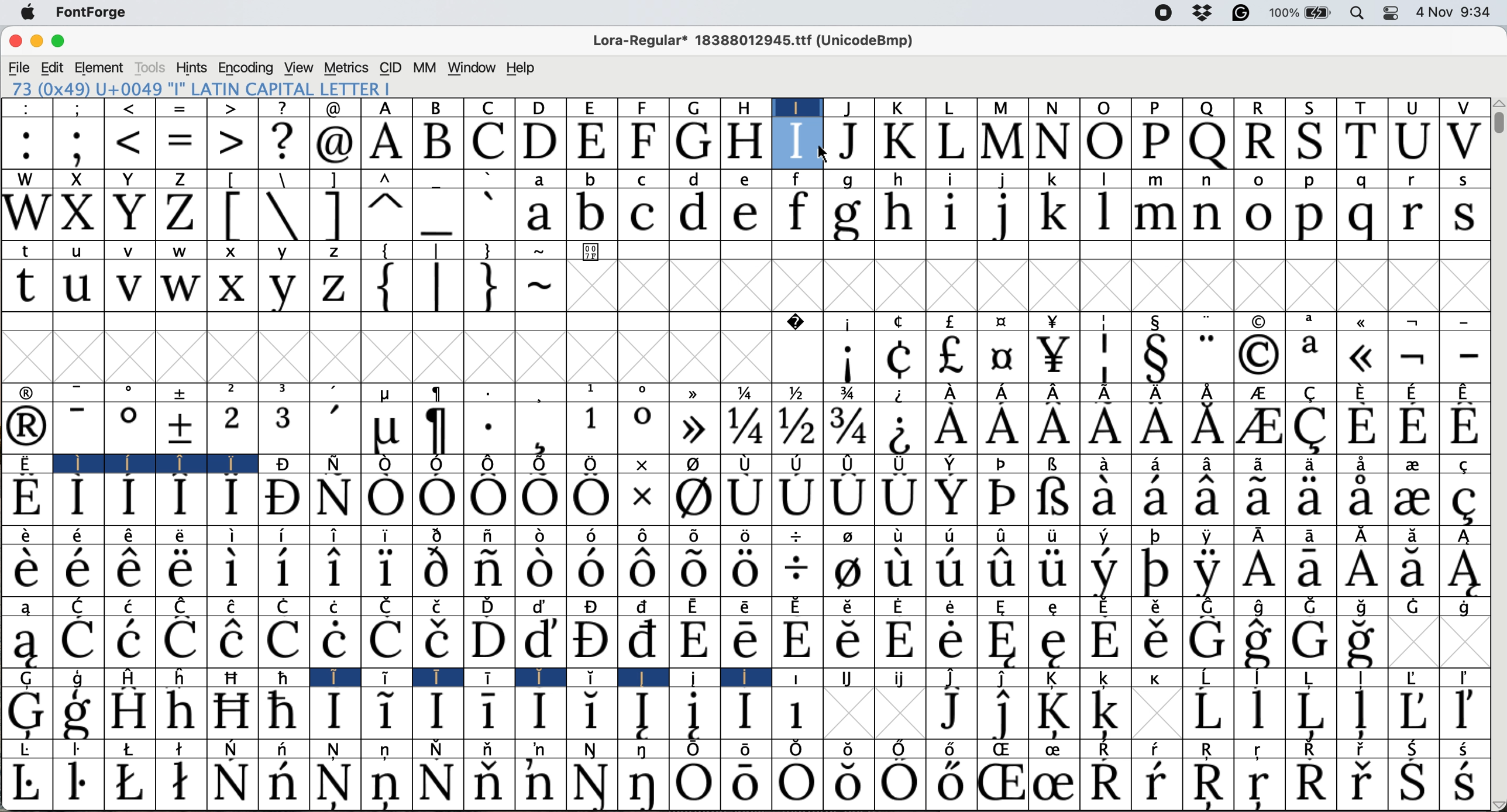 The width and height of the screenshot is (1507, 812). What do you see at coordinates (488, 571) in the screenshot?
I see `Symbol` at bounding box center [488, 571].